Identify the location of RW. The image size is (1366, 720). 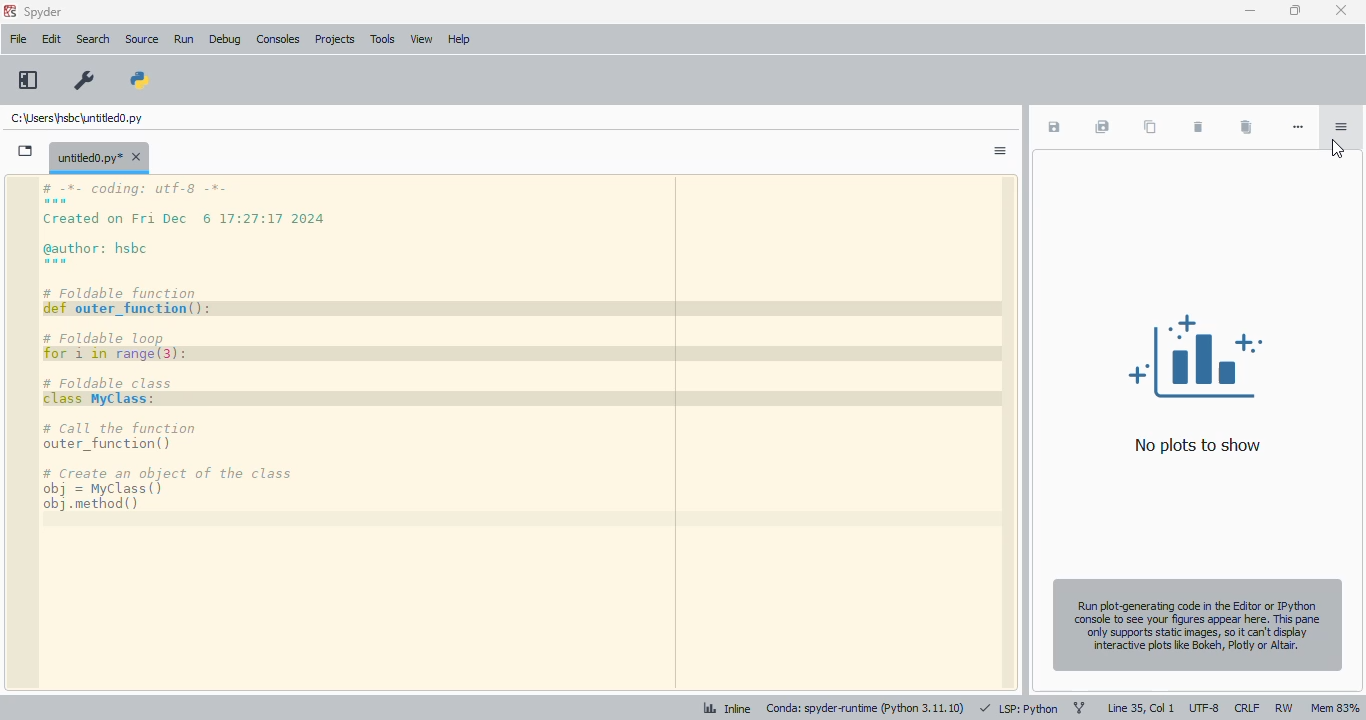
(1284, 707).